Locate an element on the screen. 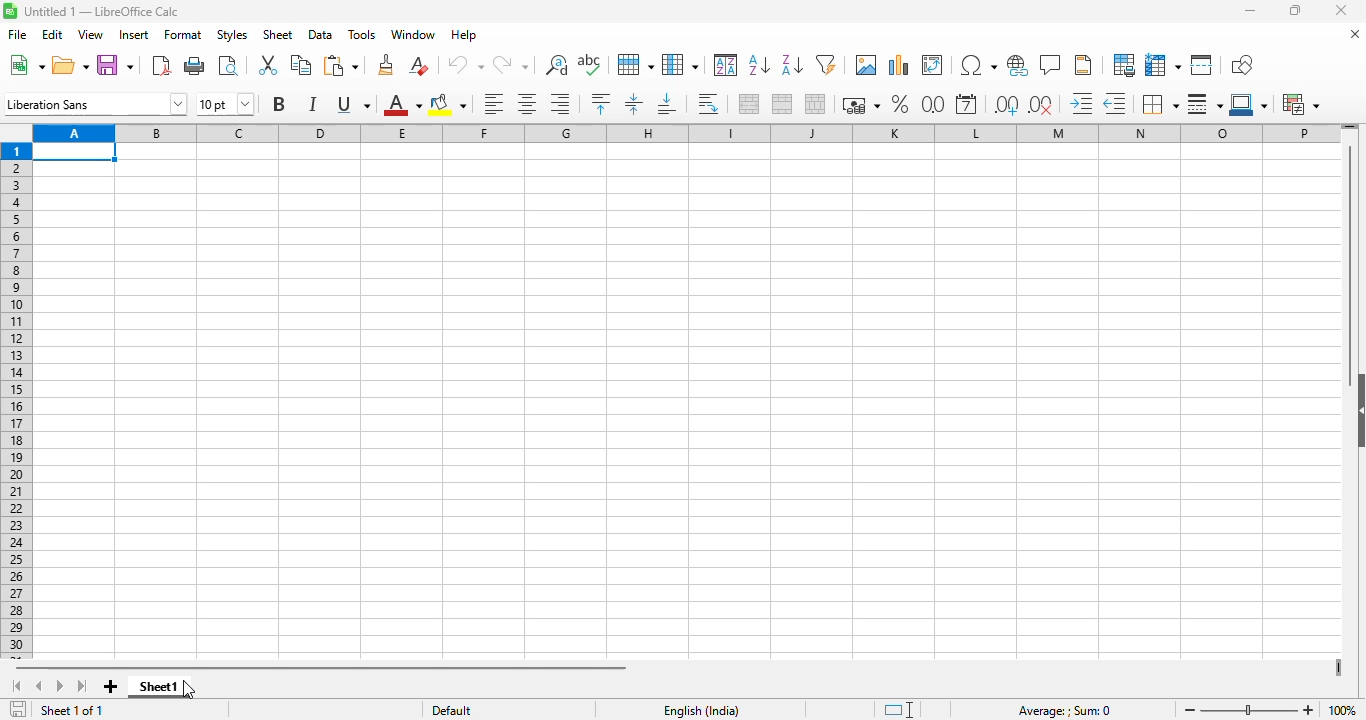 The width and height of the screenshot is (1366, 720). unmerge cells is located at coordinates (815, 104).